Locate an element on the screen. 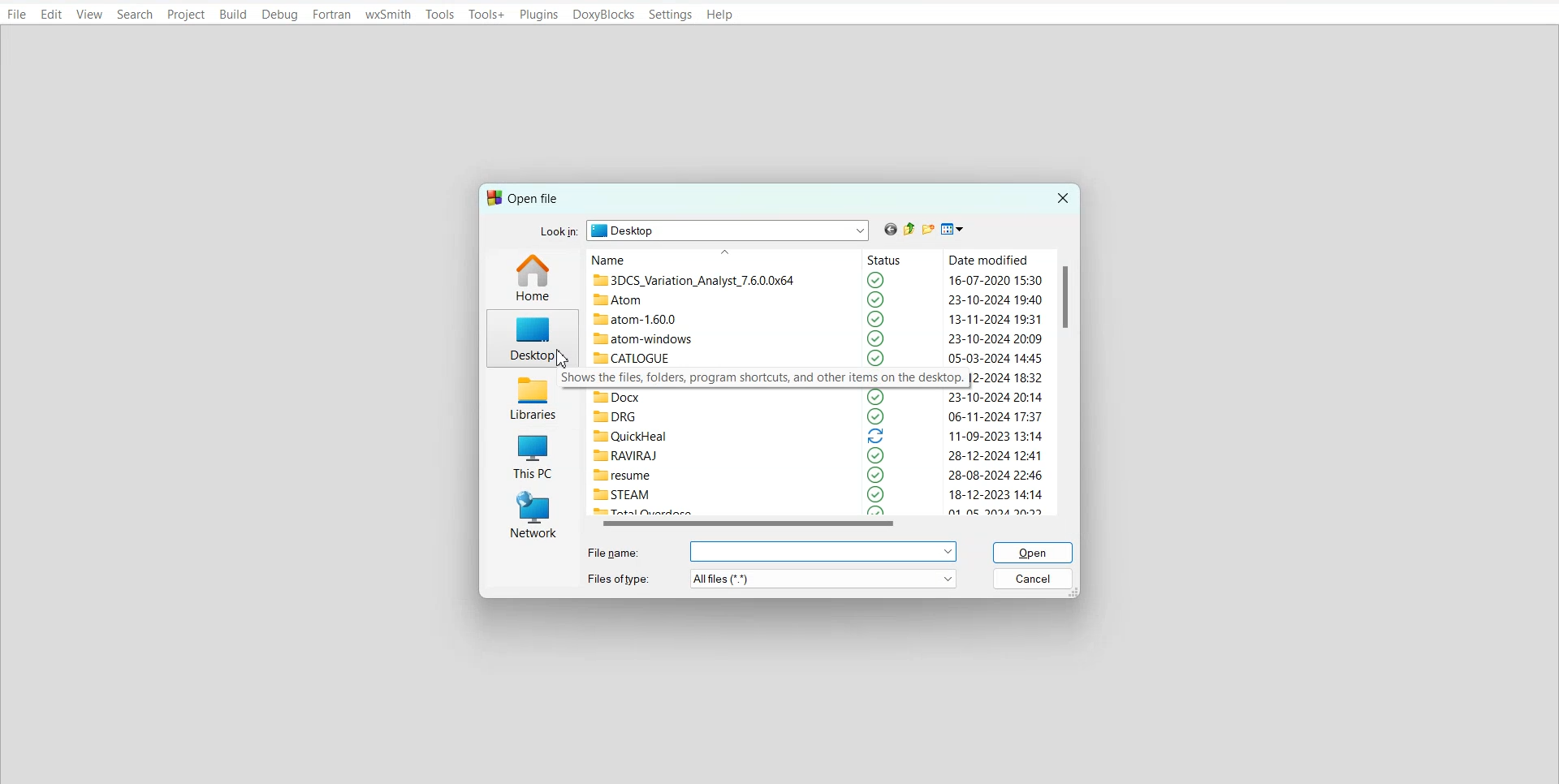 The width and height of the screenshot is (1559, 784). CATLOGUE is located at coordinates (635, 358).